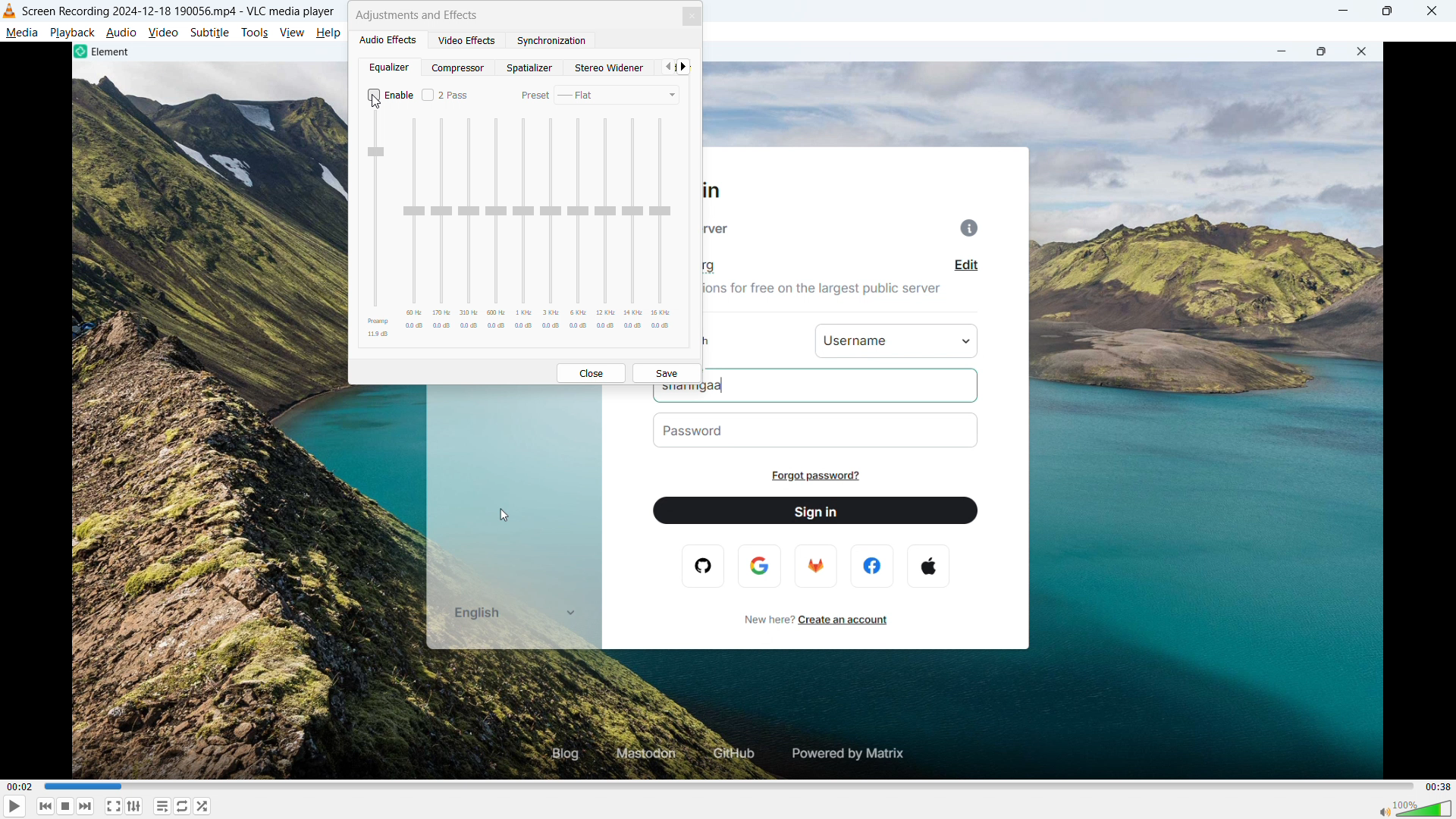 Image resolution: width=1456 pixels, height=819 pixels. Describe the element at coordinates (460, 69) in the screenshot. I see `Compressor ` at that location.